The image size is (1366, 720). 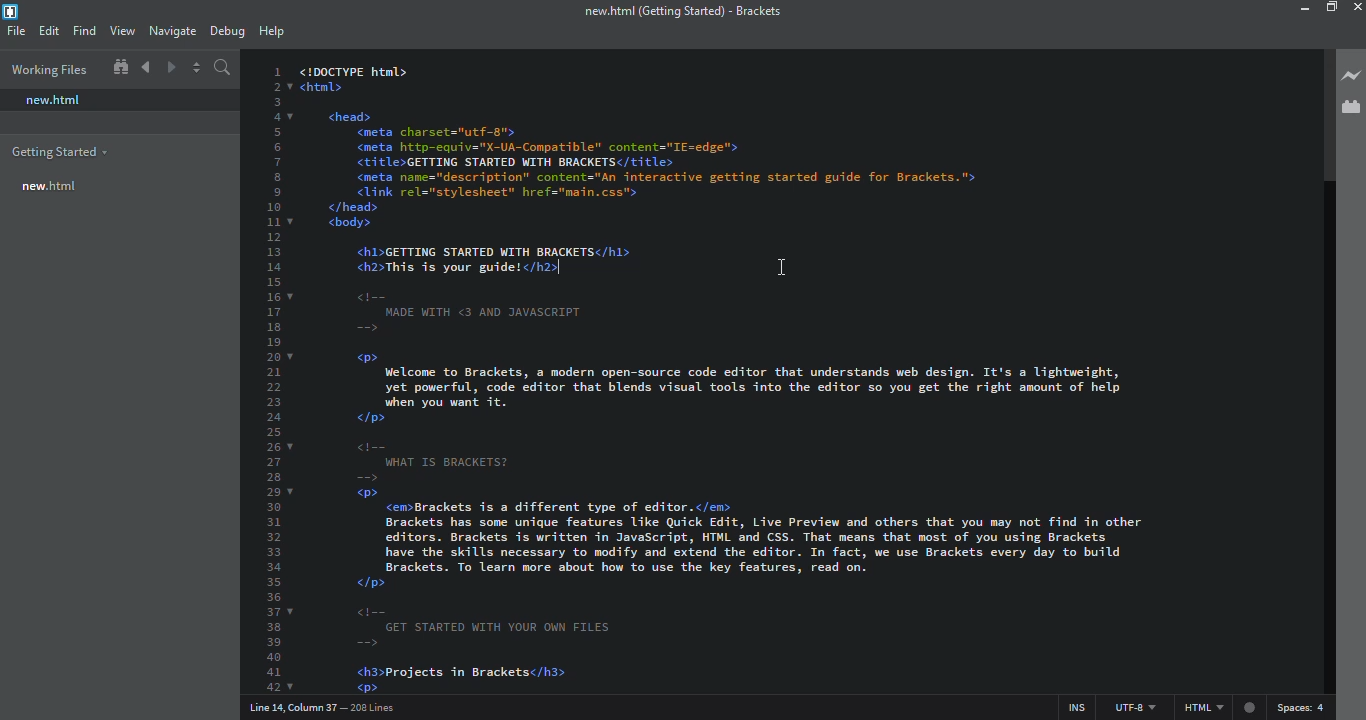 What do you see at coordinates (87, 31) in the screenshot?
I see `find` at bounding box center [87, 31].